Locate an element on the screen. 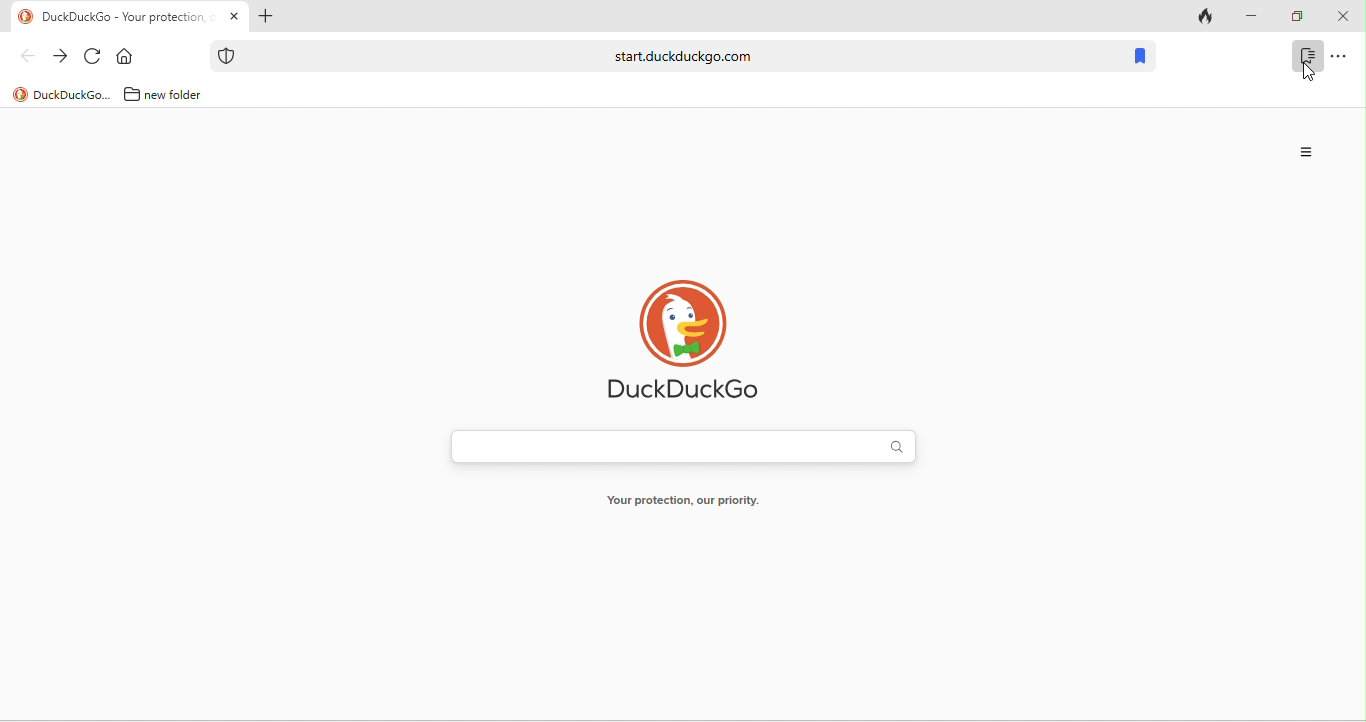 The height and width of the screenshot is (722, 1366). bookmark is located at coordinates (1139, 56).